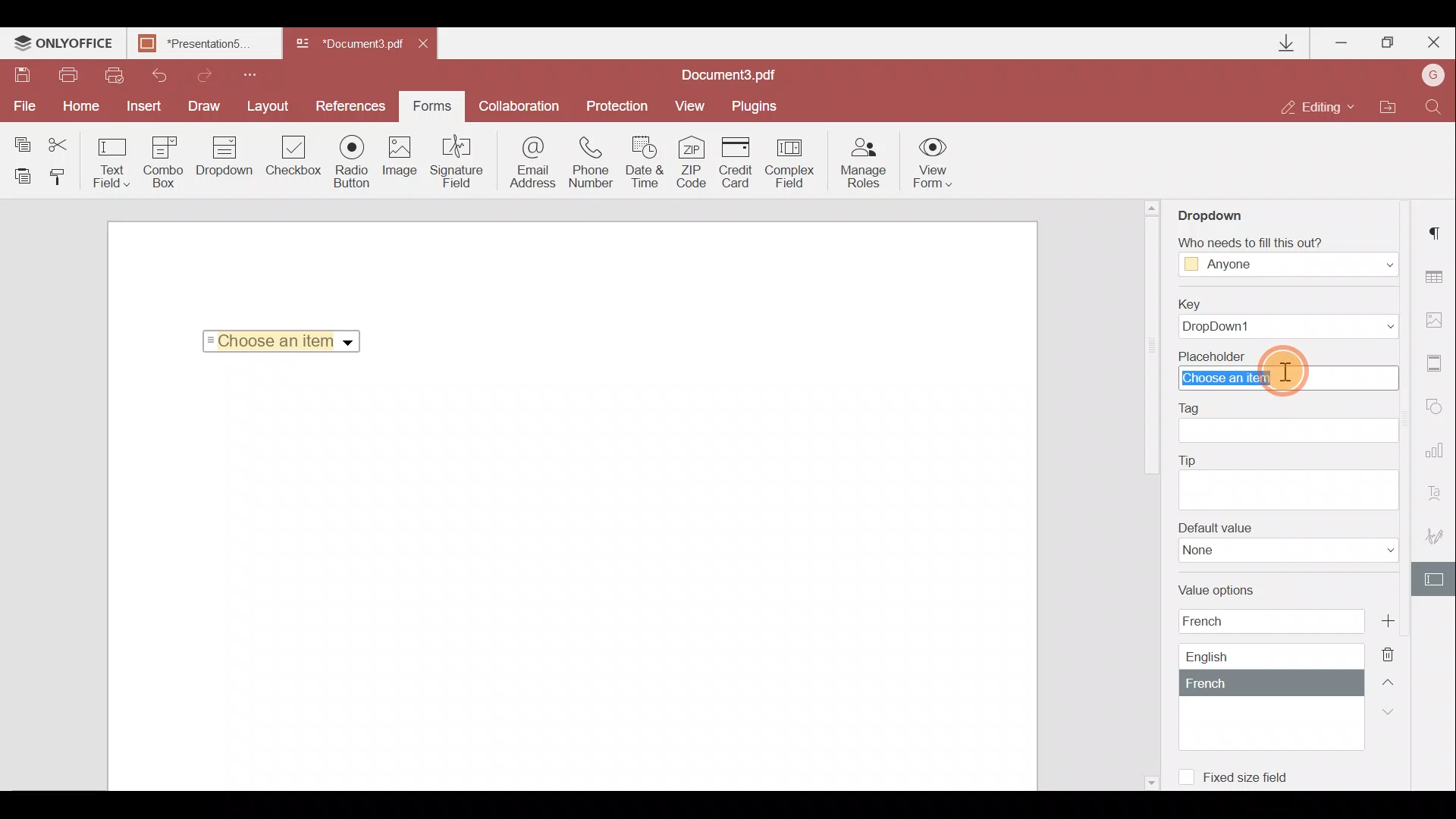 The image size is (1456, 819). Describe the element at coordinates (205, 105) in the screenshot. I see `Draw` at that location.